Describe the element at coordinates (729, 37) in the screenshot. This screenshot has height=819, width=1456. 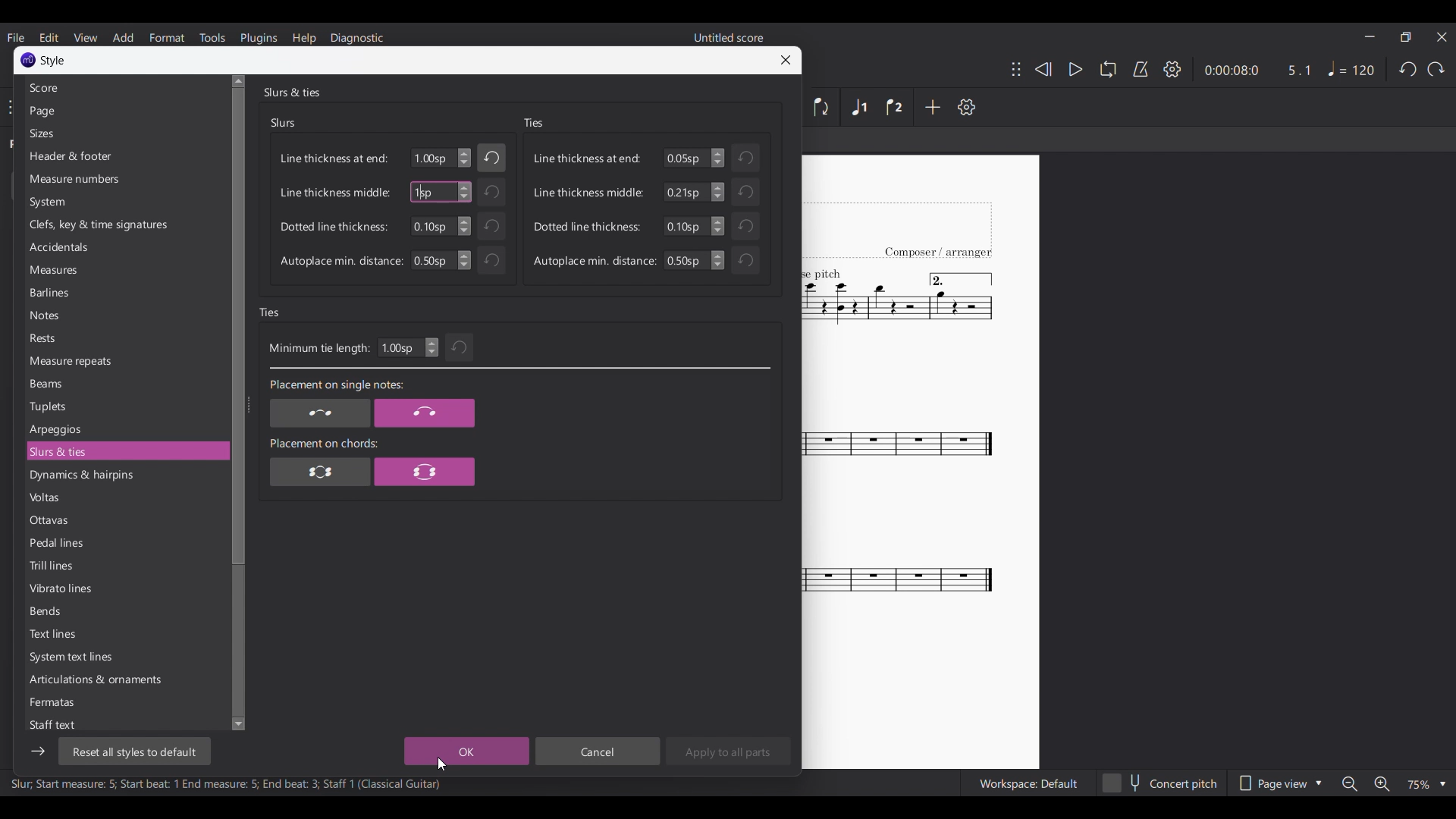
I see `Untitled score` at that location.